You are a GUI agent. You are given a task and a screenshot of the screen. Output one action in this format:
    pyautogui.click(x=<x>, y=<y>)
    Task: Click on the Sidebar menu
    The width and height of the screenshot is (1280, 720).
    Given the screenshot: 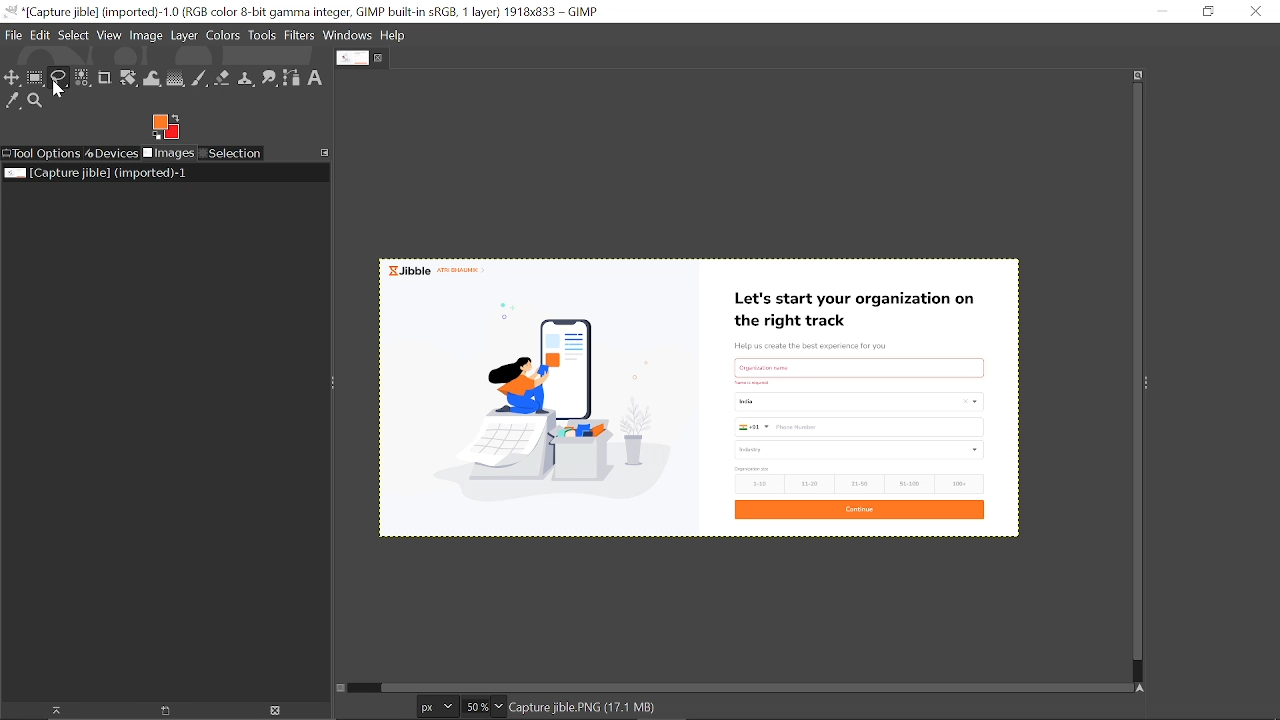 What is the action you would take?
    pyautogui.click(x=1151, y=381)
    